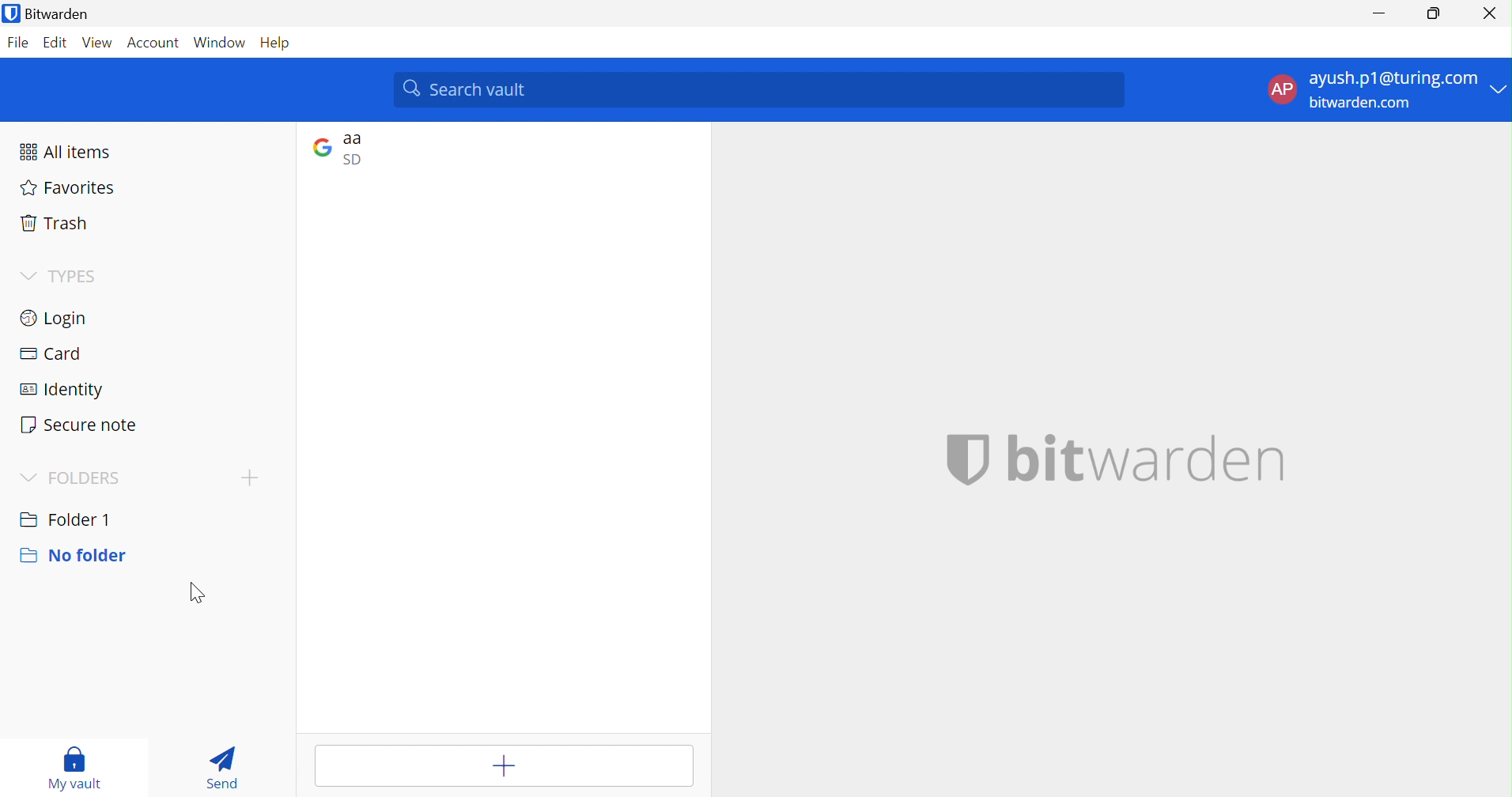 This screenshot has height=797, width=1512. Describe the element at coordinates (222, 764) in the screenshot. I see `Send` at that location.